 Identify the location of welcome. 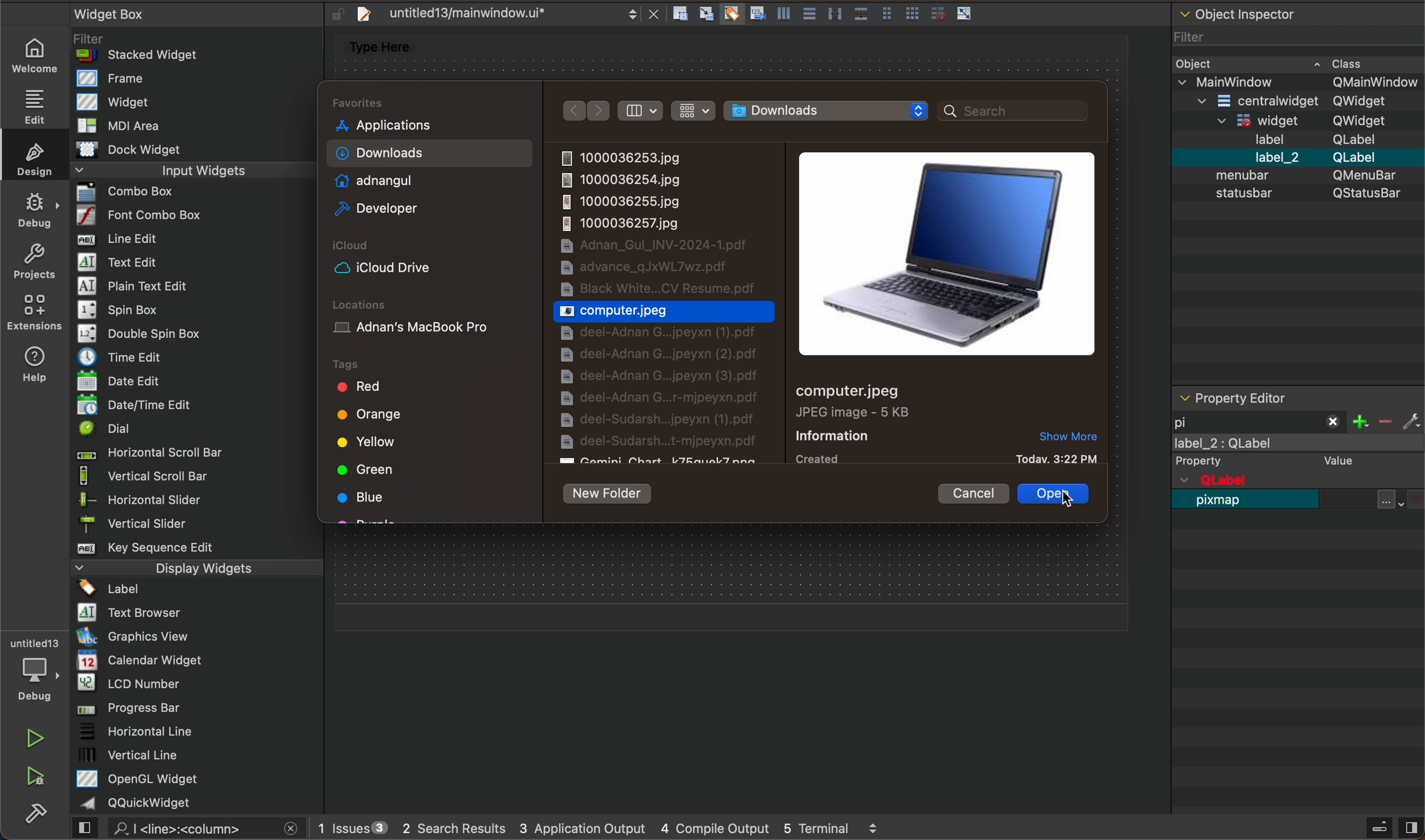
(36, 55).